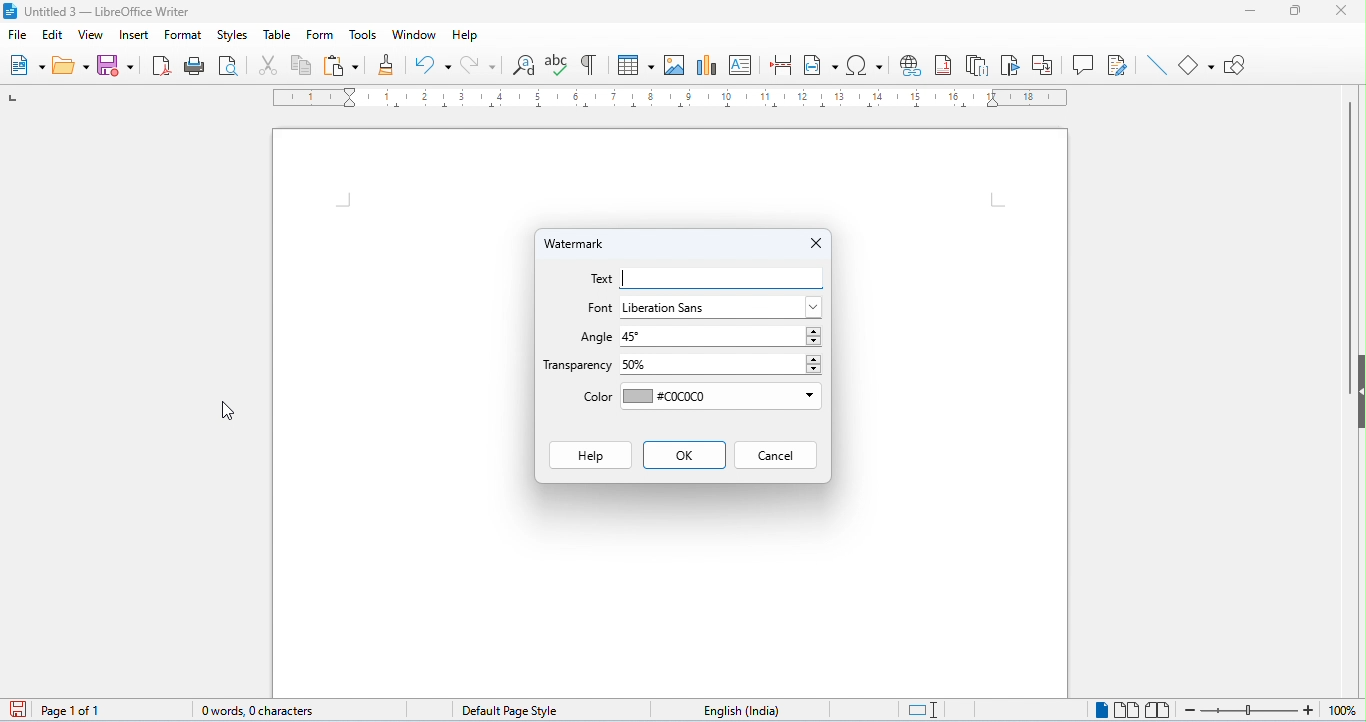 The image size is (1366, 722). Describe the element at coordinates (365, 36) in the screenshot. I see `tools` at that location.